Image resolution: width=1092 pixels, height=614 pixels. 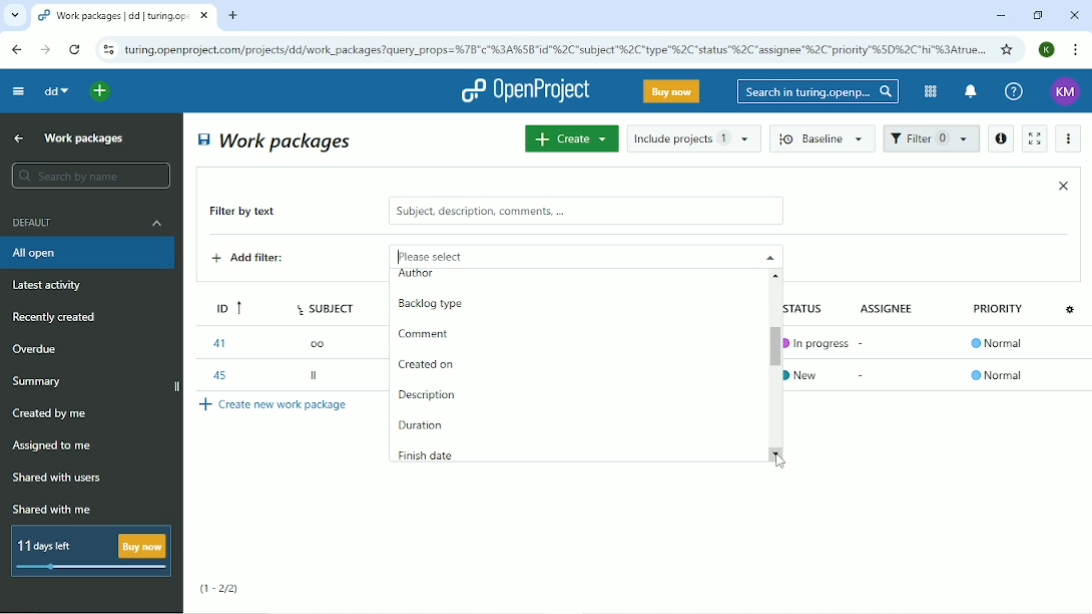 I want to click on Forward, so click(x=43, y=50).